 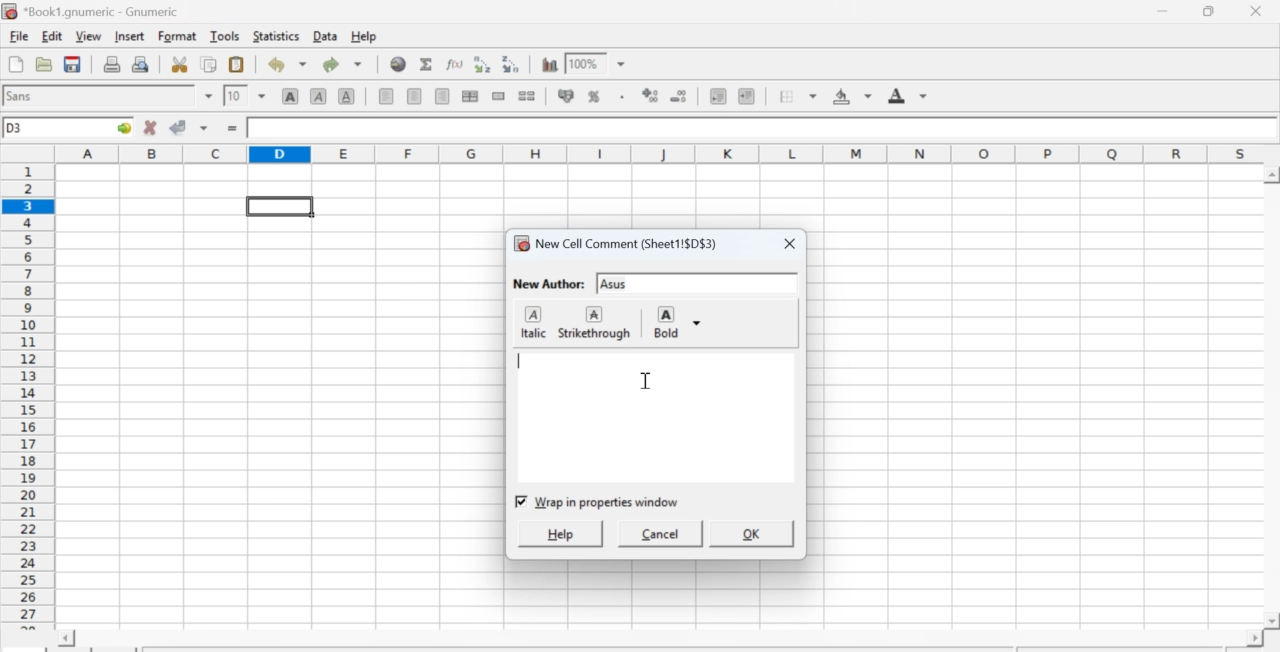 What do you see at coordinates (285, 64) in the screenshot?
I see `Undo` at bounding box center [285, 64].